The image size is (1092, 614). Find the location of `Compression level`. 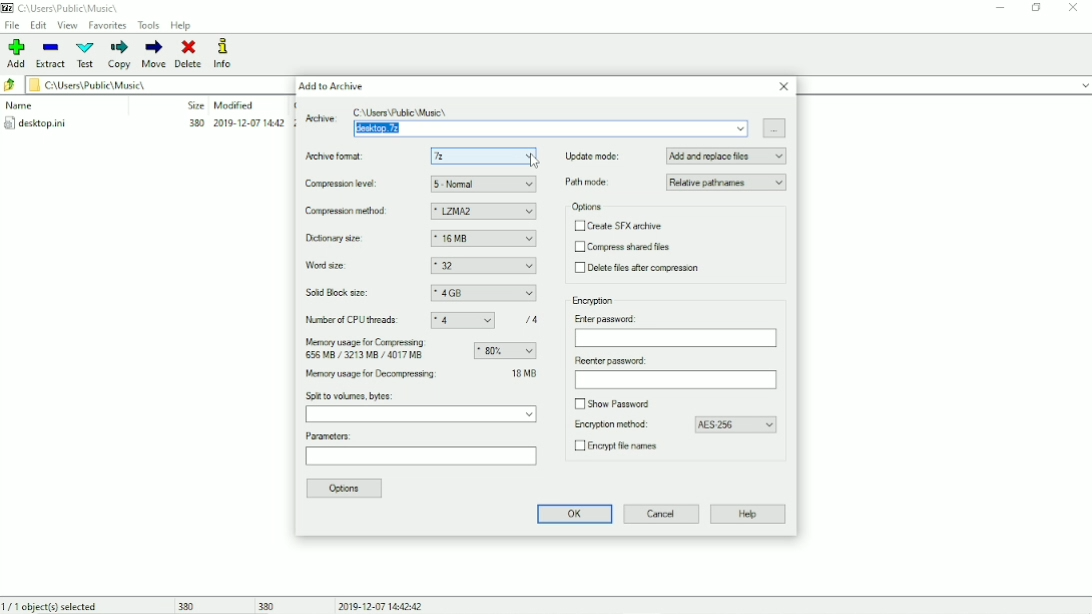

Compression level is located at coordinates (422, 185).